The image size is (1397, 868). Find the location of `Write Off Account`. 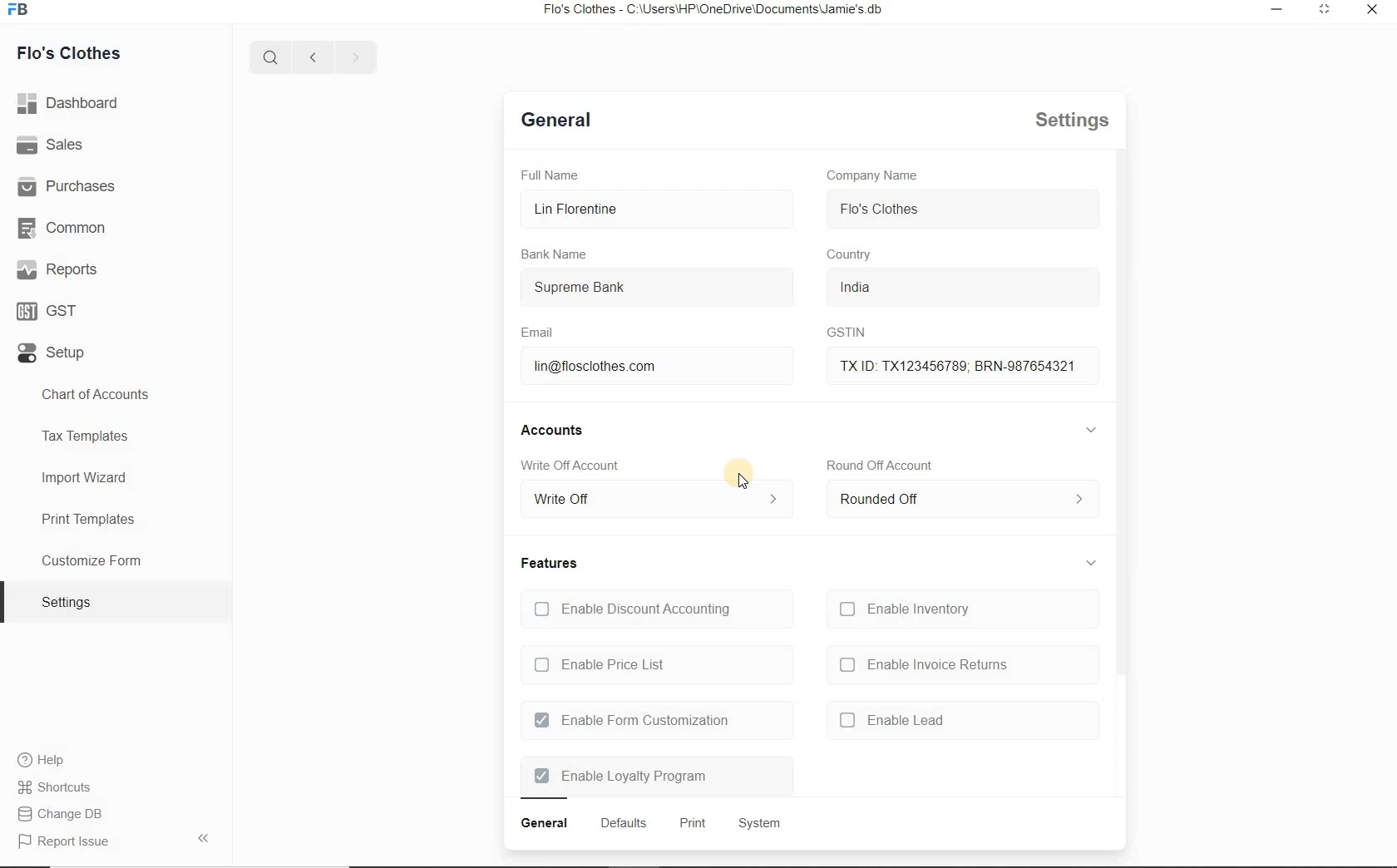

Write Off Account is located at coordinates (569, 464).